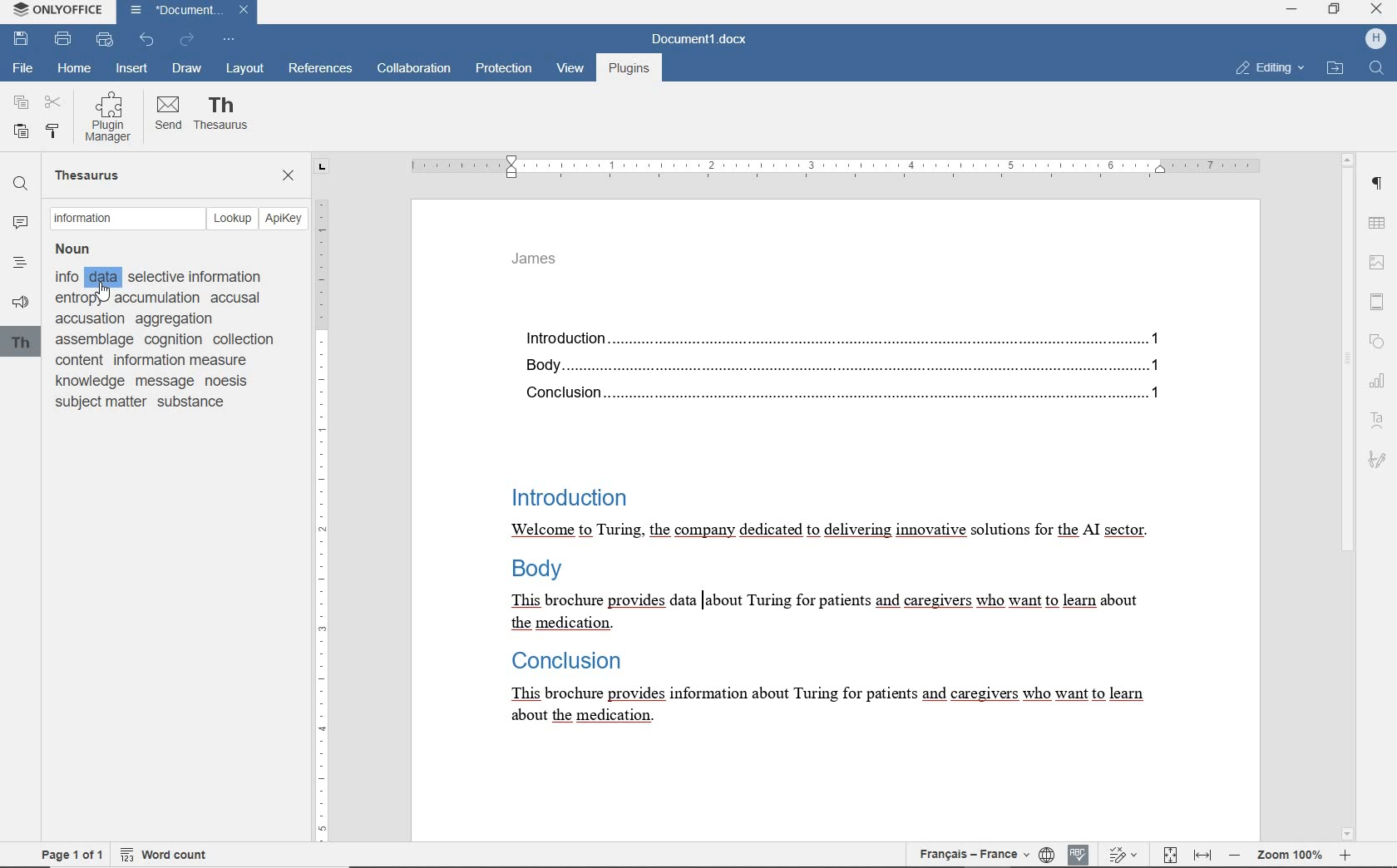 Image resolution: width=1397 pixels, height=868 pixels. I want to click on PLUGINS, so click(628, 70).